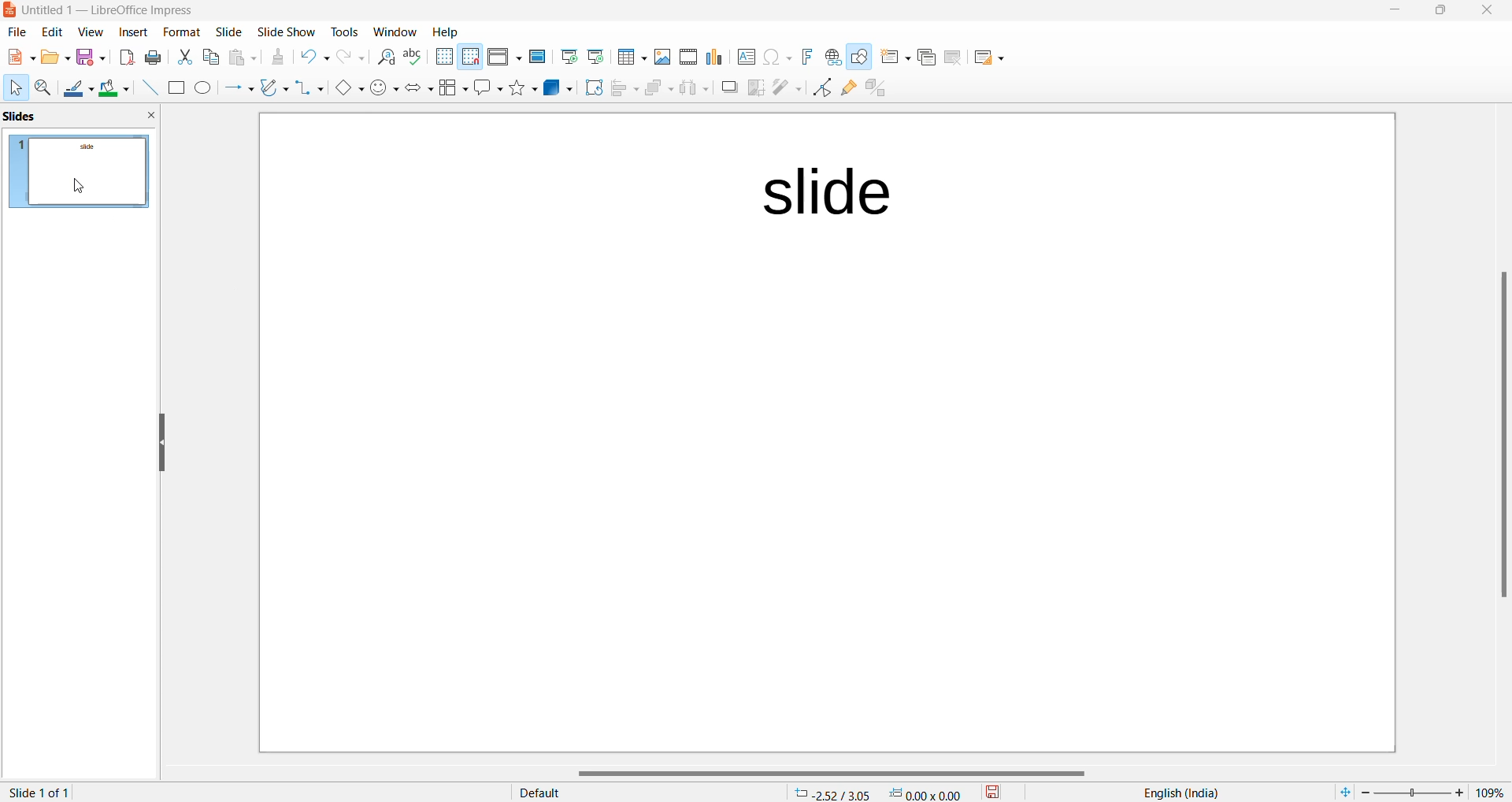 Image resolution: width=1512 pixels, height=802 pixels. Describe the element at coordinates (568, 57) in the screenshot. I see `start from first slide` at that location.